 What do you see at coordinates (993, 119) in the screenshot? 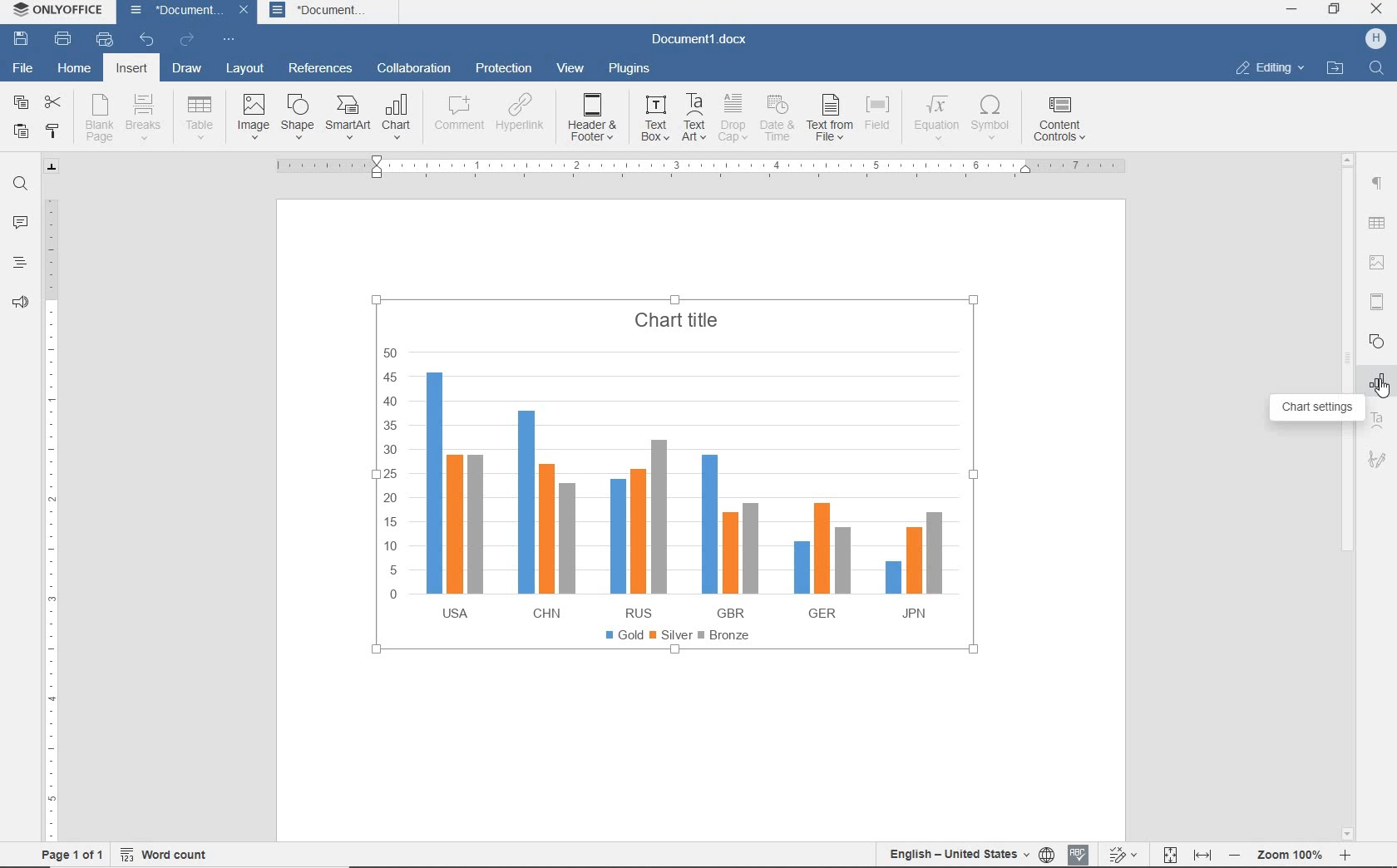
I see `symbol` at bounding box center [993, 119].